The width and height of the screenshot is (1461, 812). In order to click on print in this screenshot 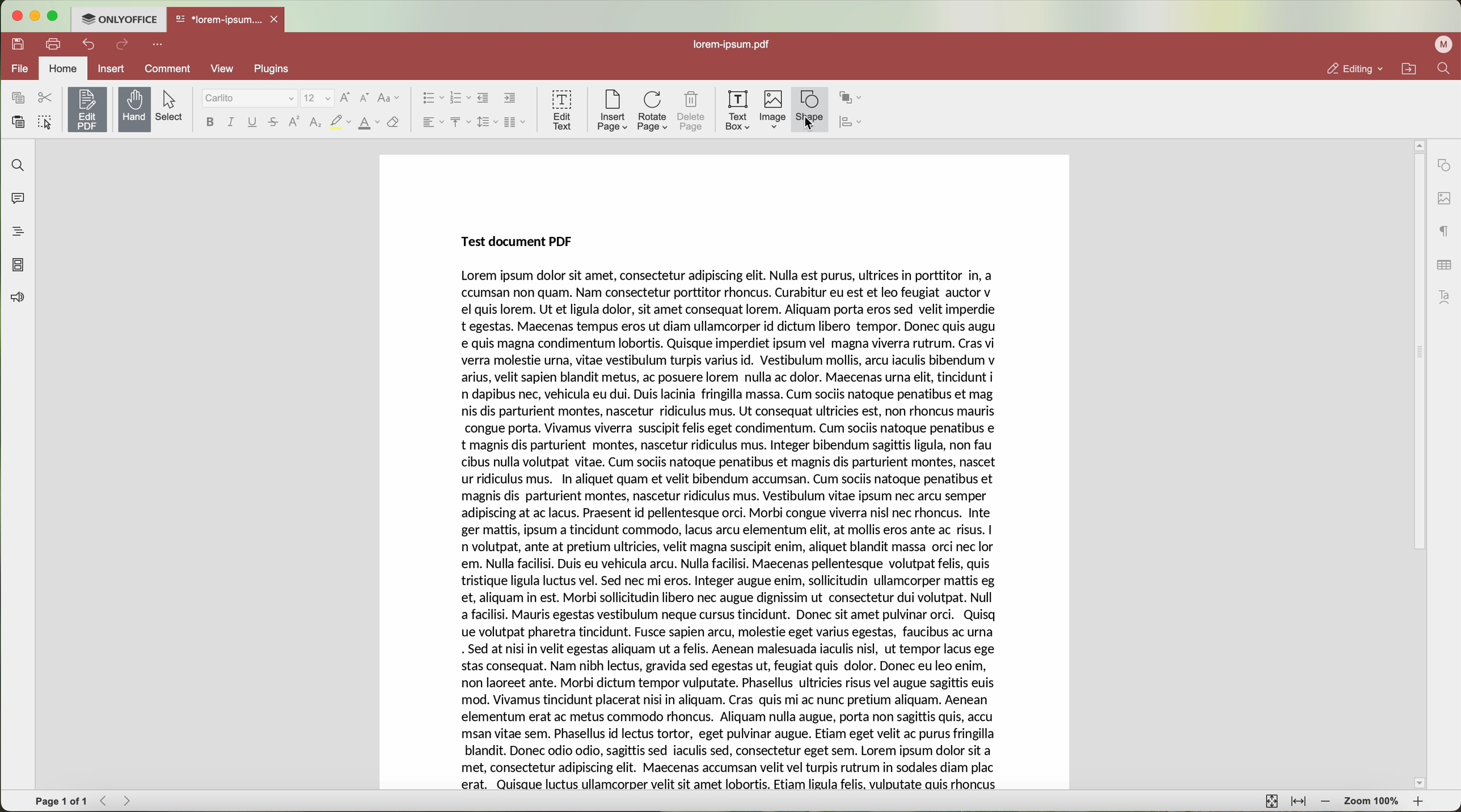, I will do `click(54, 43)`.